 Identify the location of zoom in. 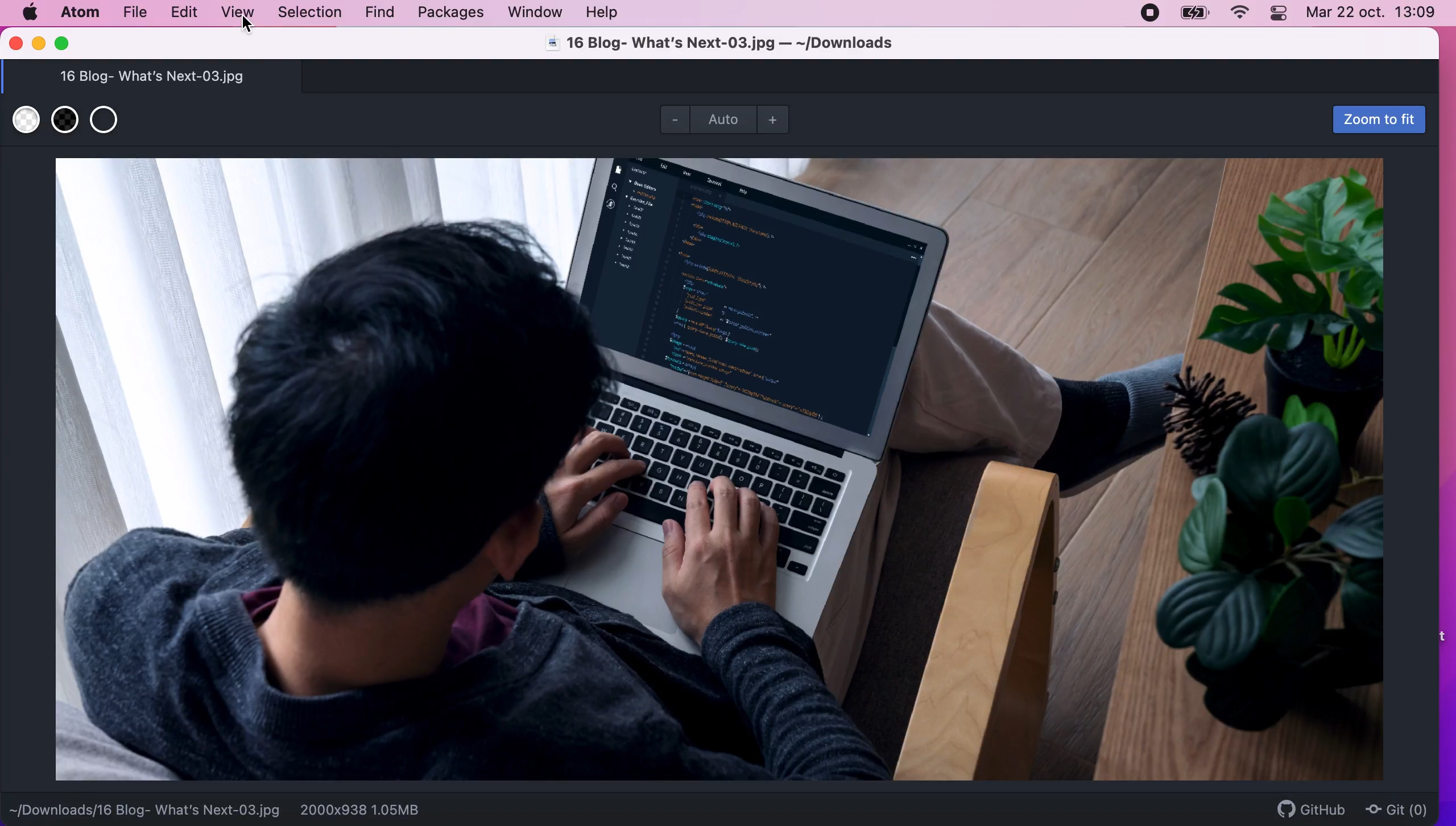
(776, 119).